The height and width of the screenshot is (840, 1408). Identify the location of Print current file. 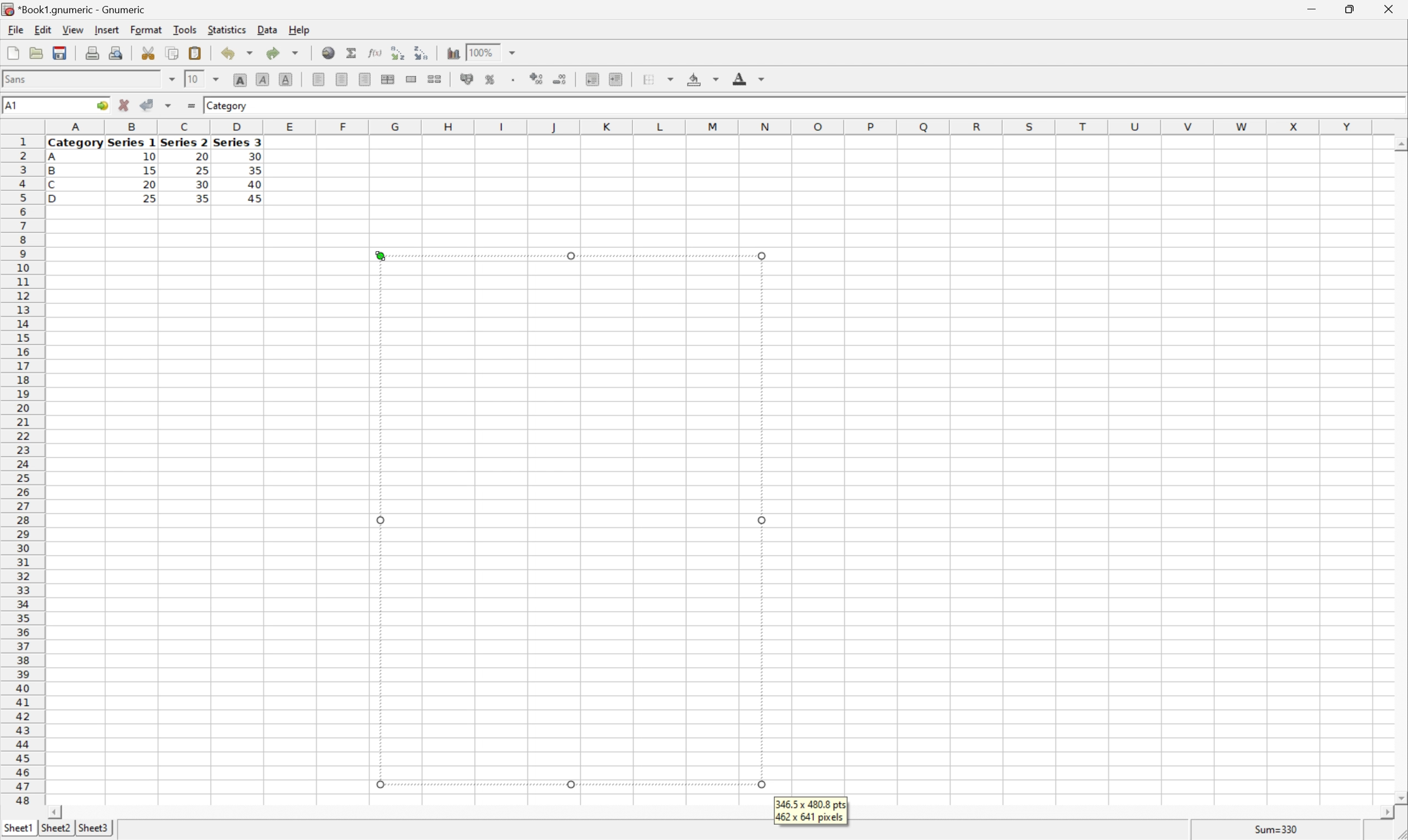
(92, 54).